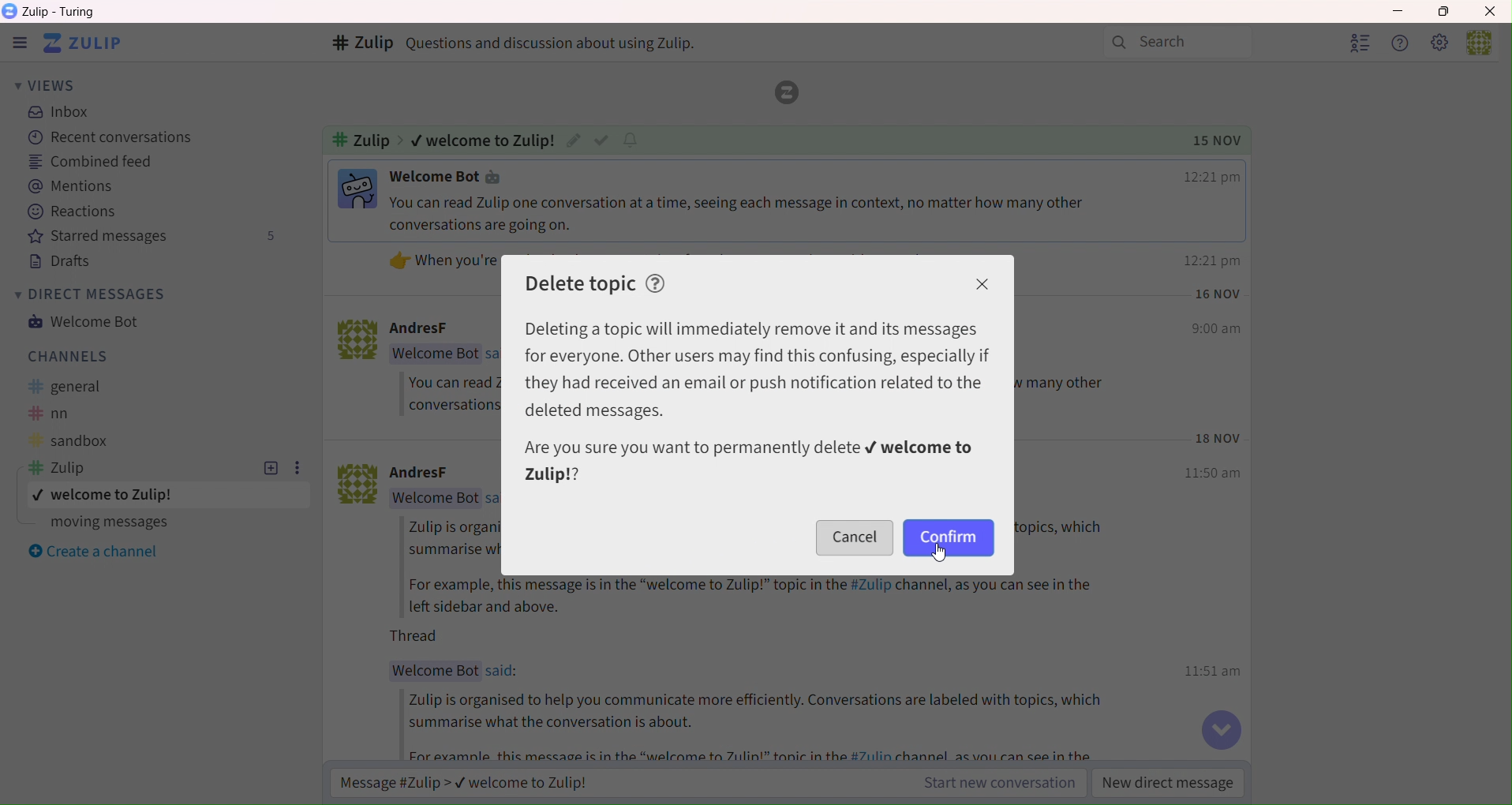 The height and width of the screenshot is (805, 1512). I want to click on Zulip, so click(16, 43).